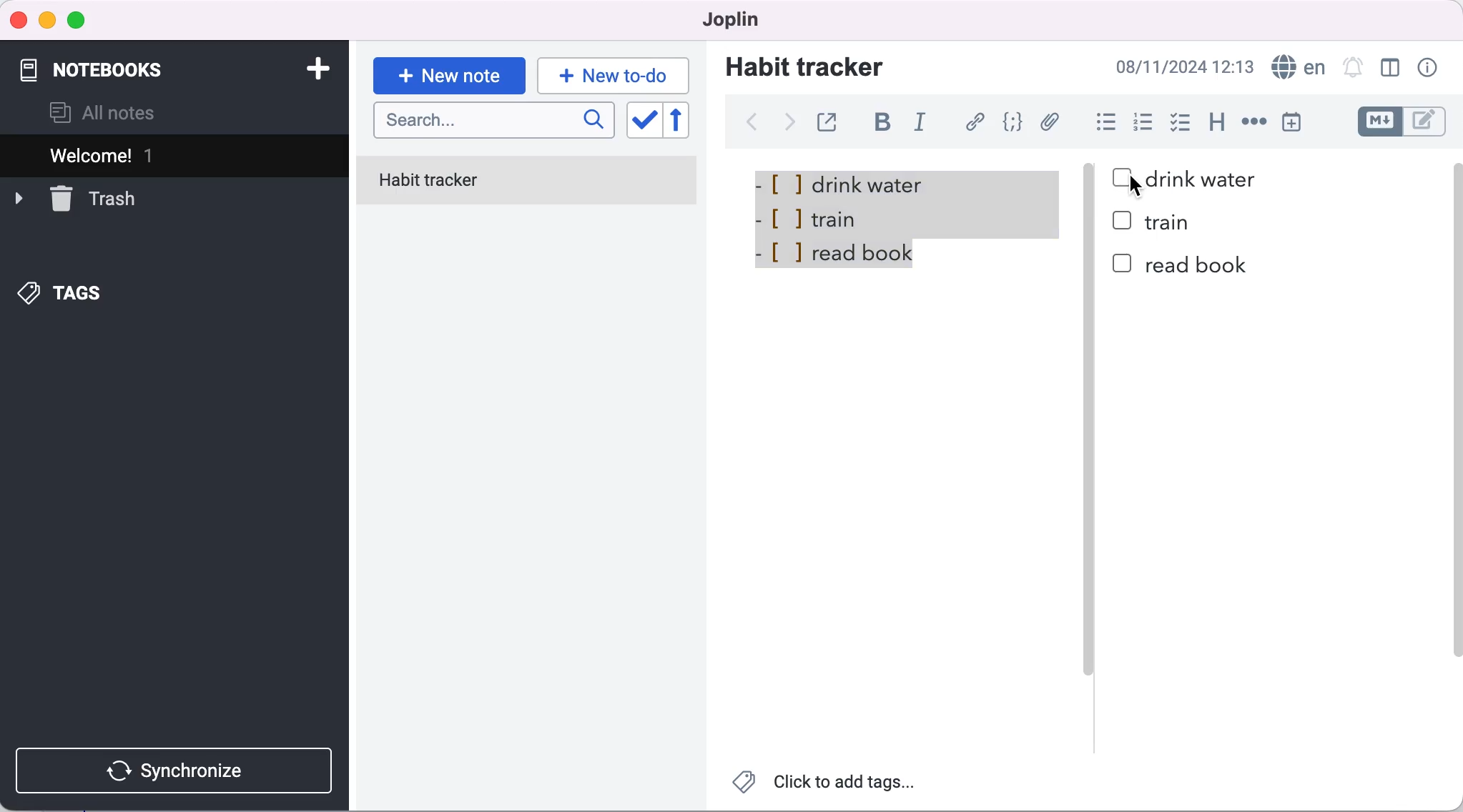 This screenshot has height=812, width=1463. I want to click on minimize, so click(46, 21).